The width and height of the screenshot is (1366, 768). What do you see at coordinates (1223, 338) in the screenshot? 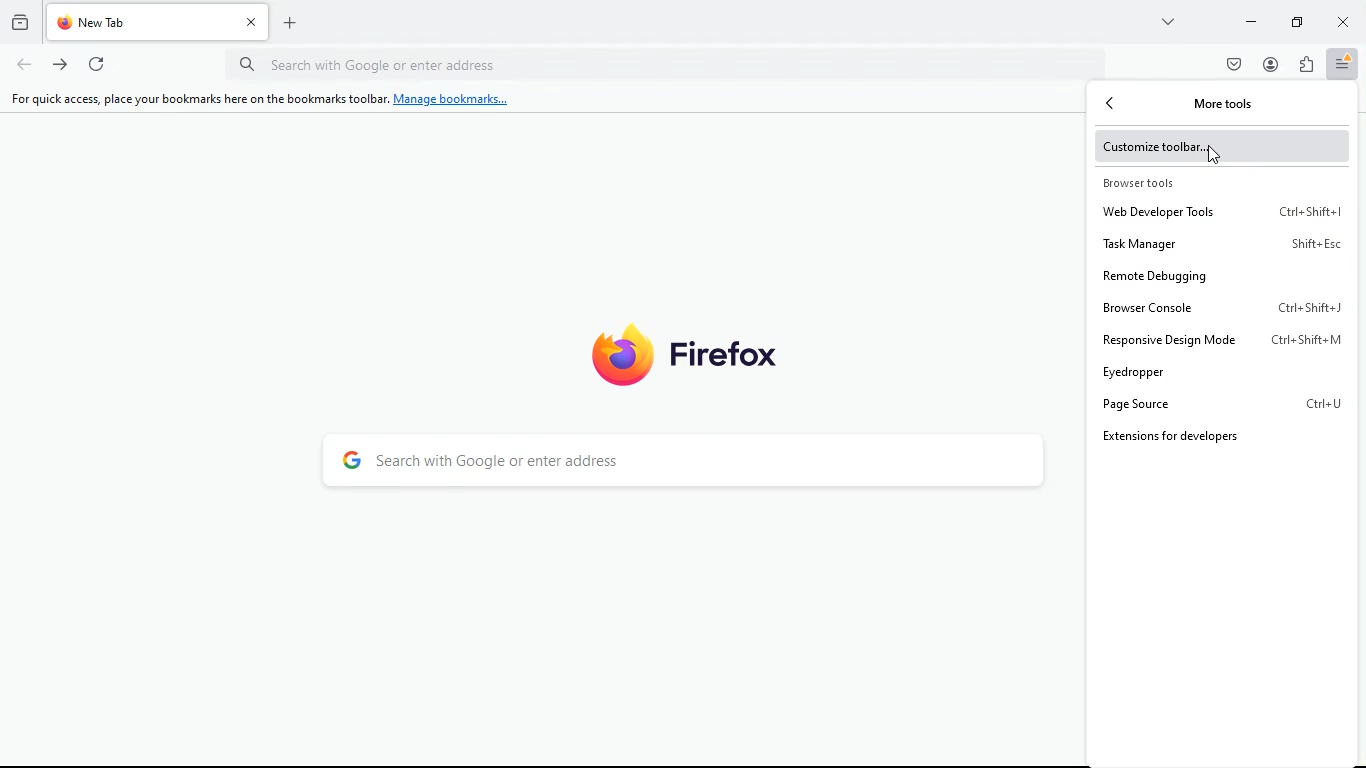
I see `responsive design` at bounding box center [1223, 338].